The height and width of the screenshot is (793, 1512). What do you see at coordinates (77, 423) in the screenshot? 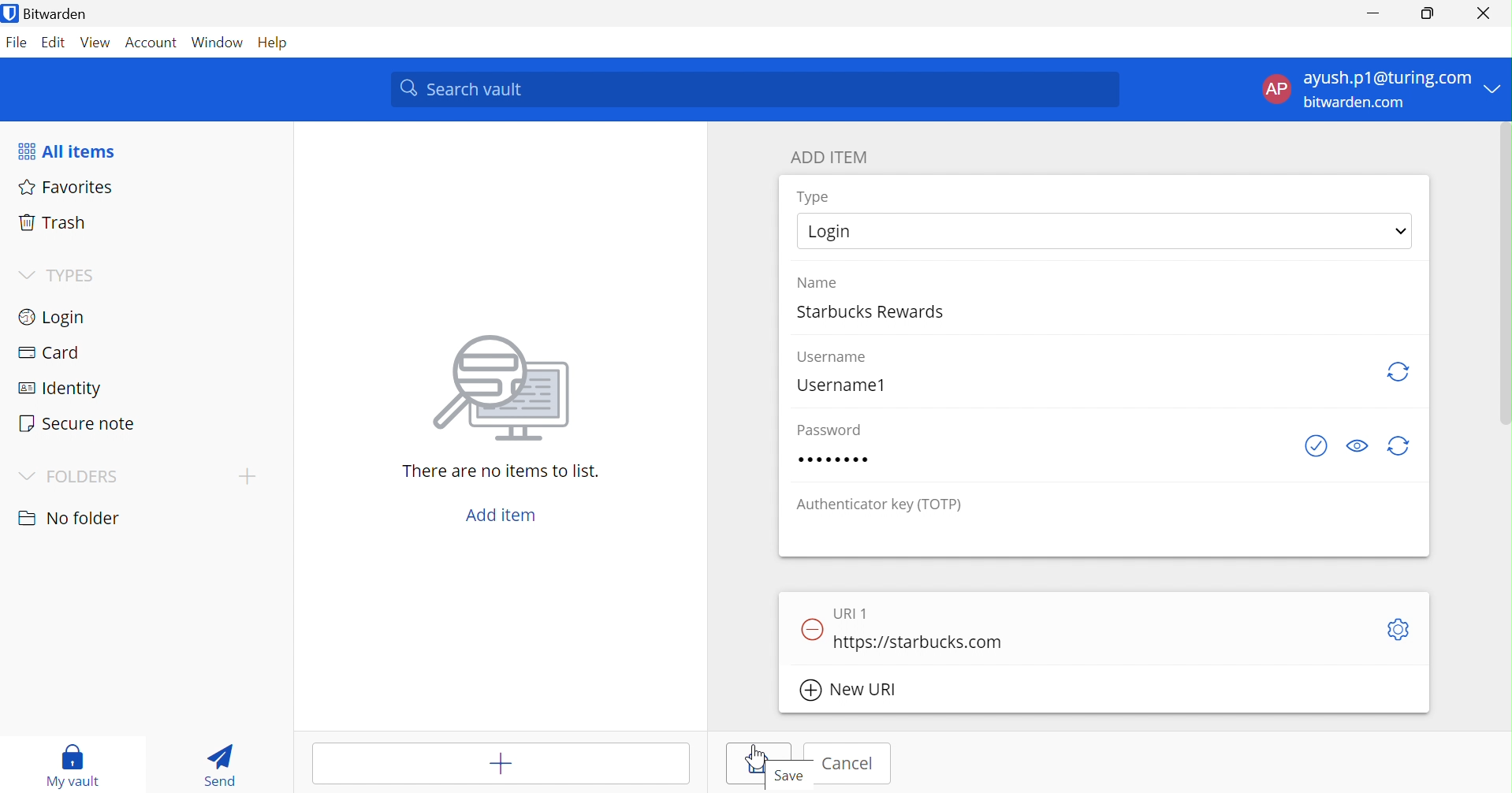
I see `Secure note` at bounding box center [77, 423].